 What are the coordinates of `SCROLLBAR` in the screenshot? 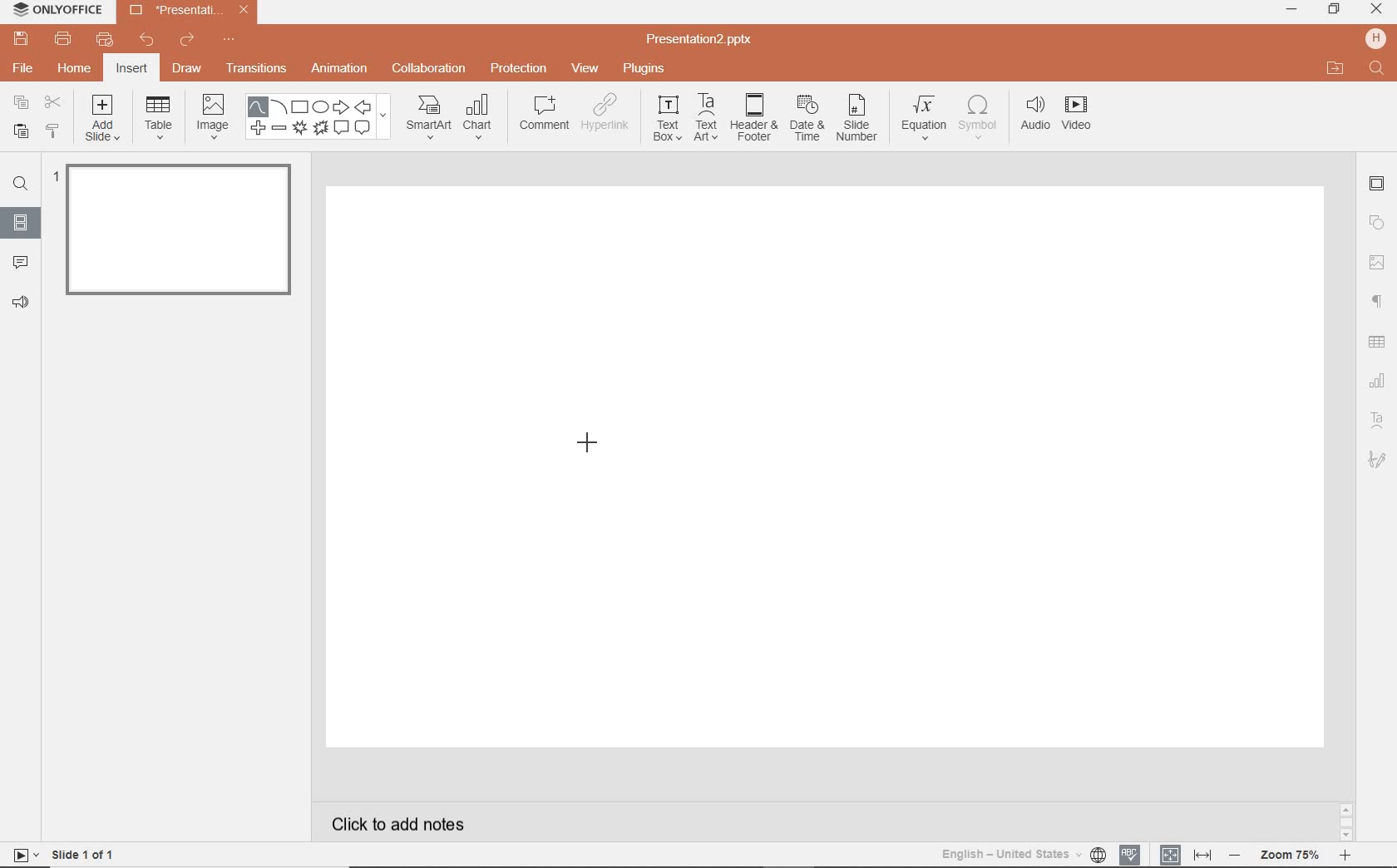 It's located at (1345, 820).